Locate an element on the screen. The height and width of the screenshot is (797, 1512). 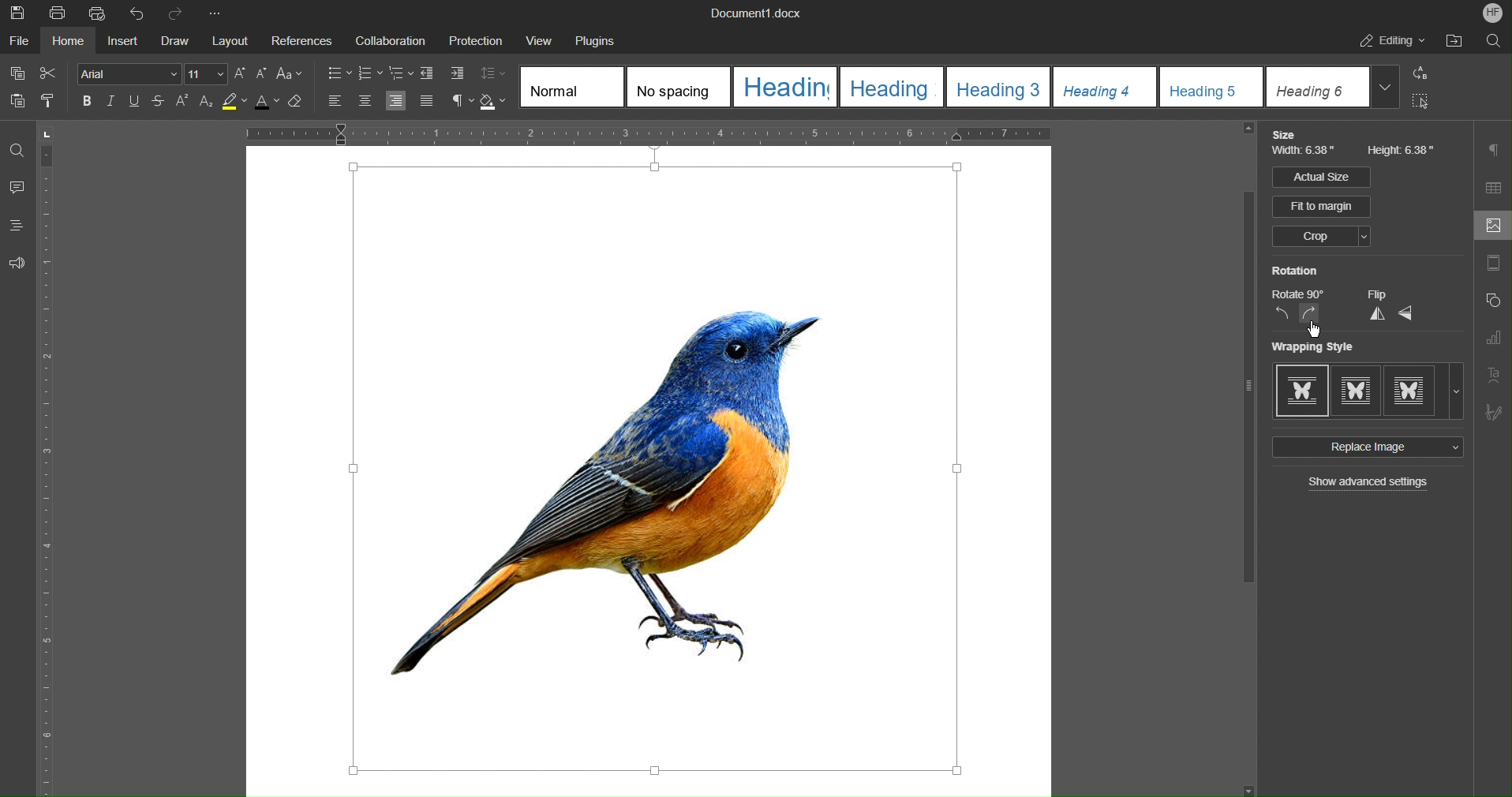
Line Spacing is located at coordinates (492, 73).